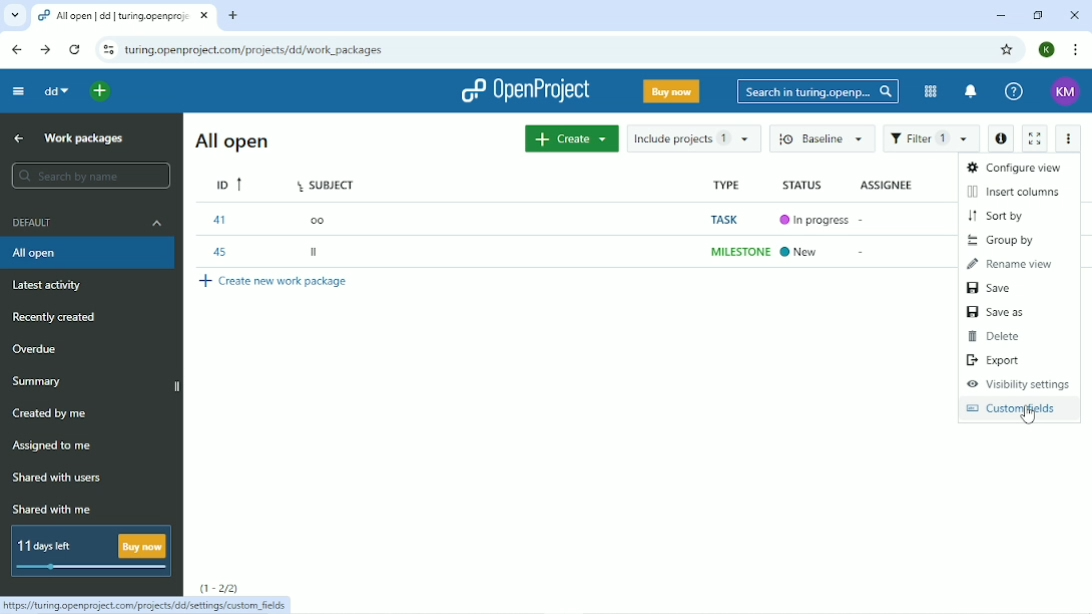 This screenshot has width=1092, height=614. What do you see at coordinates (1038, 15) in the screenshot?
I see `Restore down` at bounding box center [1038, 15].